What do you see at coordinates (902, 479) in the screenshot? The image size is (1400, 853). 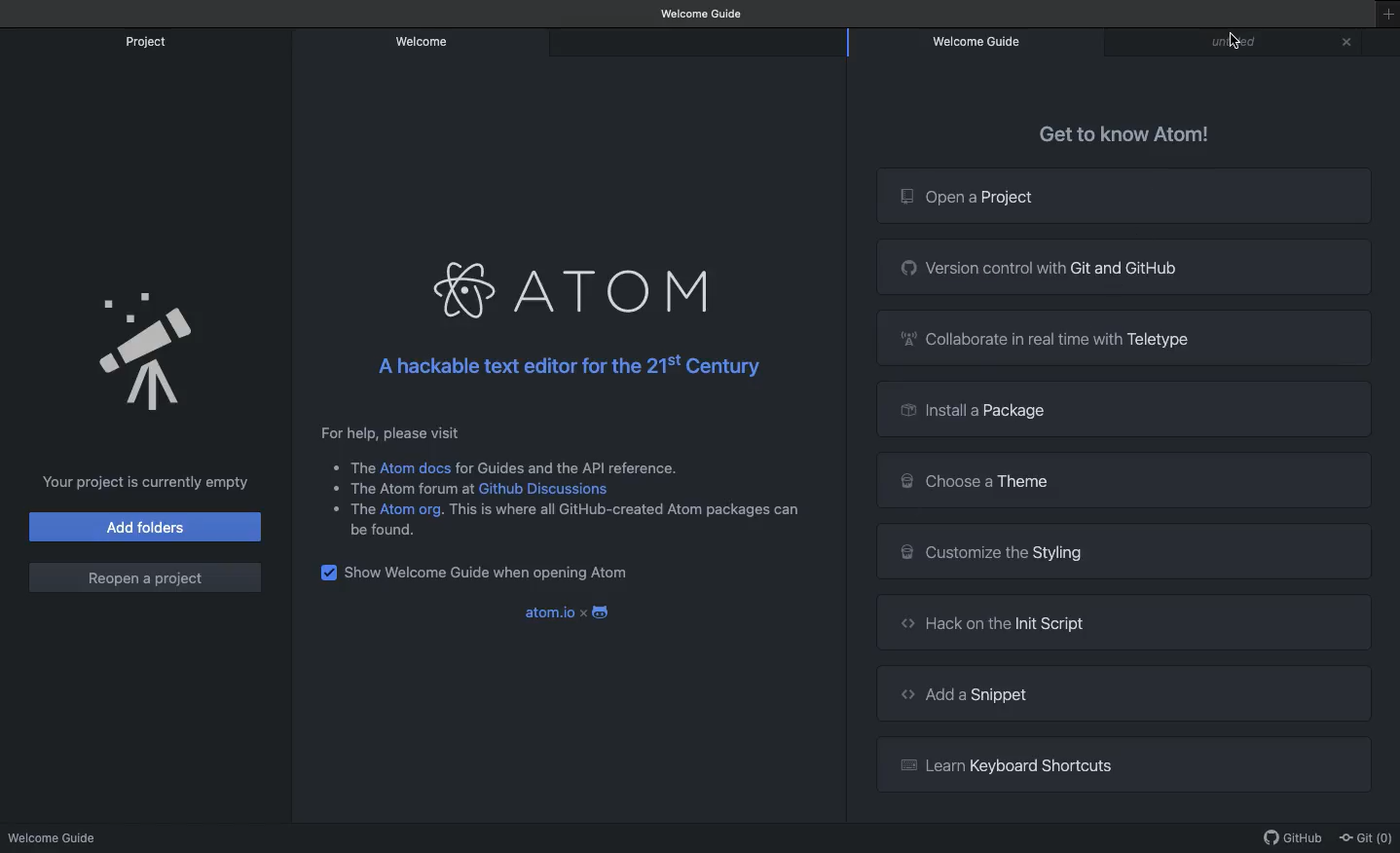 I see `theme` at bounding box center [902, 479].